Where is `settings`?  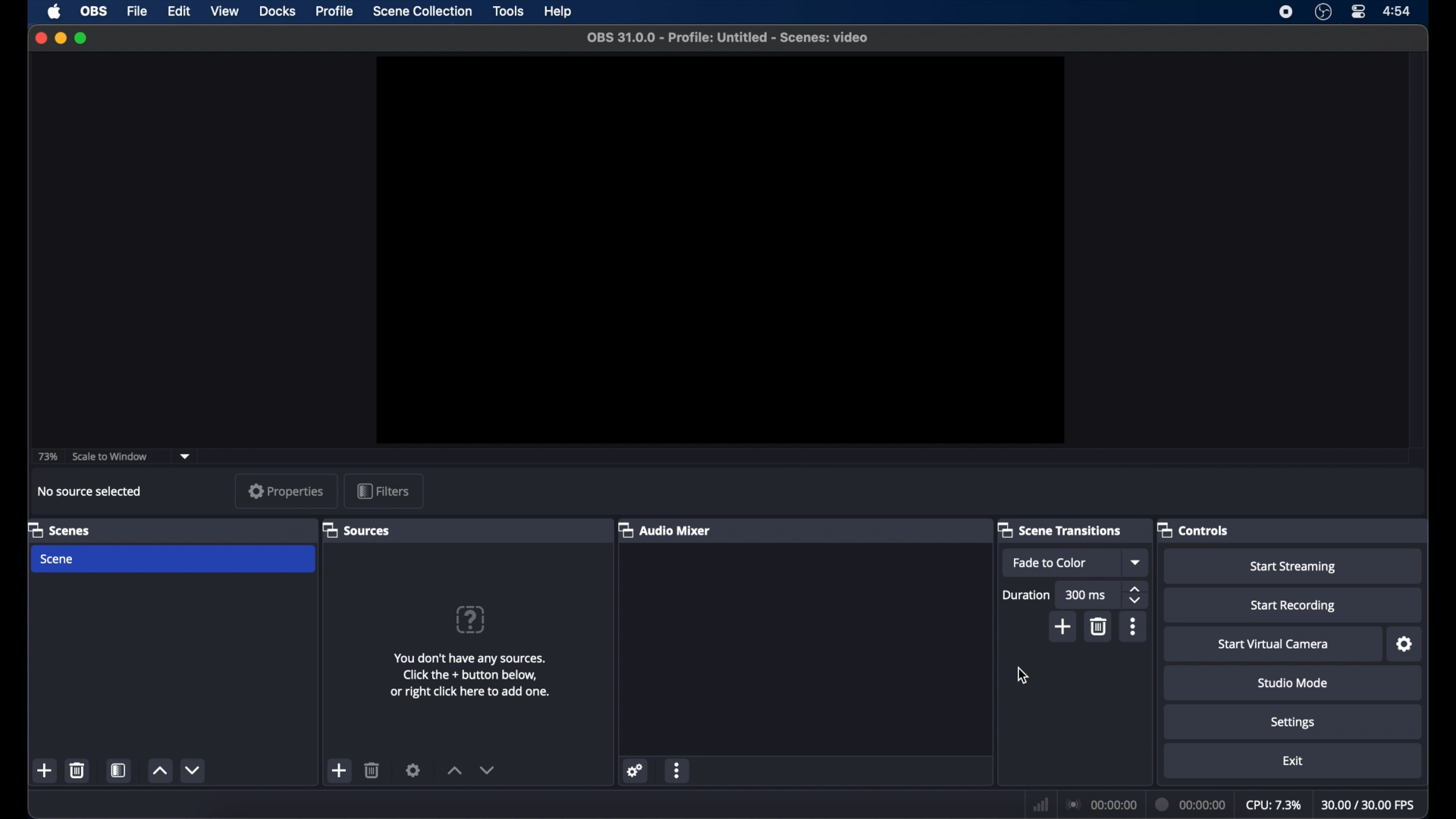
settings is located at coordinates (413, 770).